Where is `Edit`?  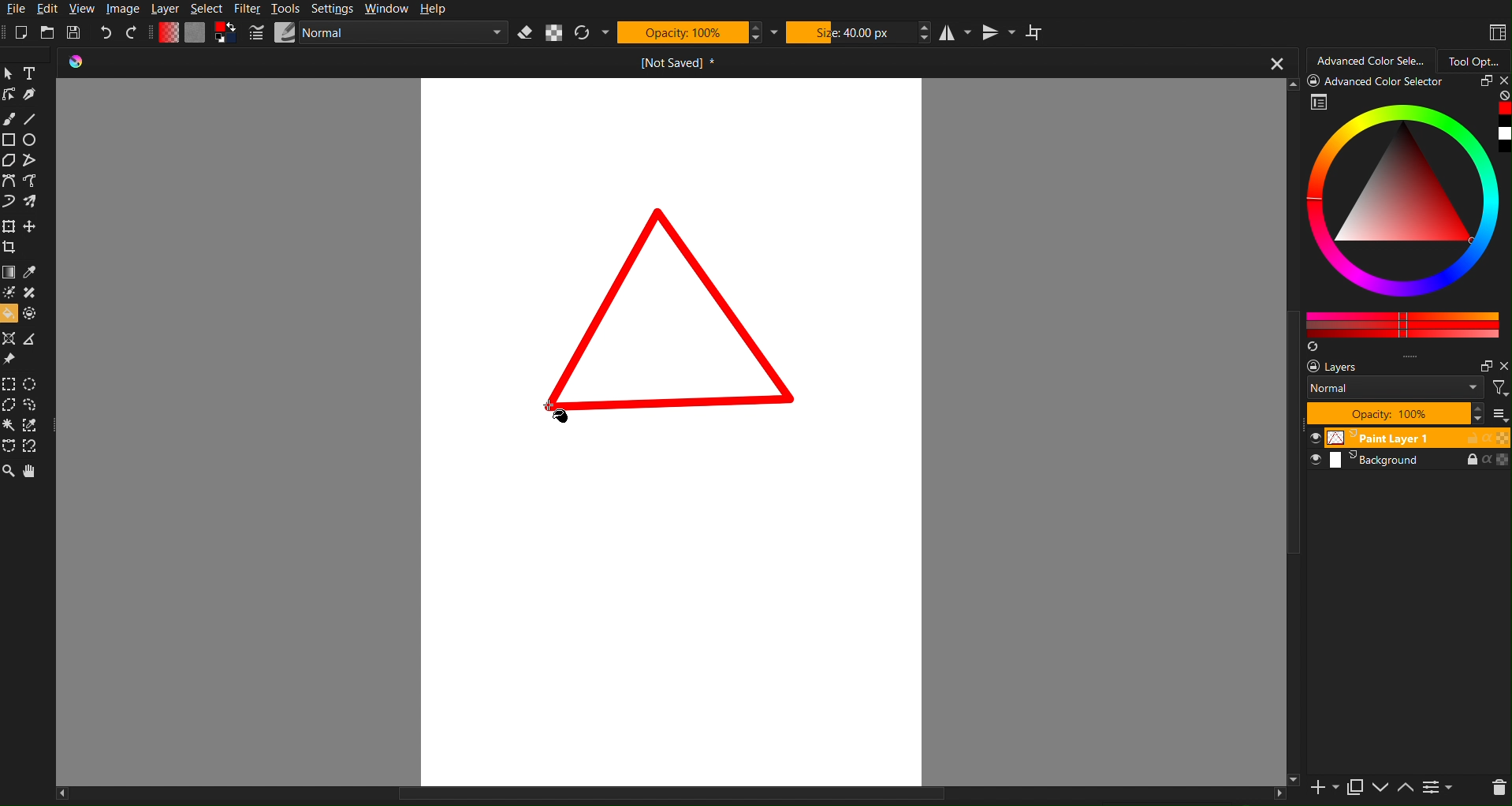
Edit is located at coordinates (50, 9).